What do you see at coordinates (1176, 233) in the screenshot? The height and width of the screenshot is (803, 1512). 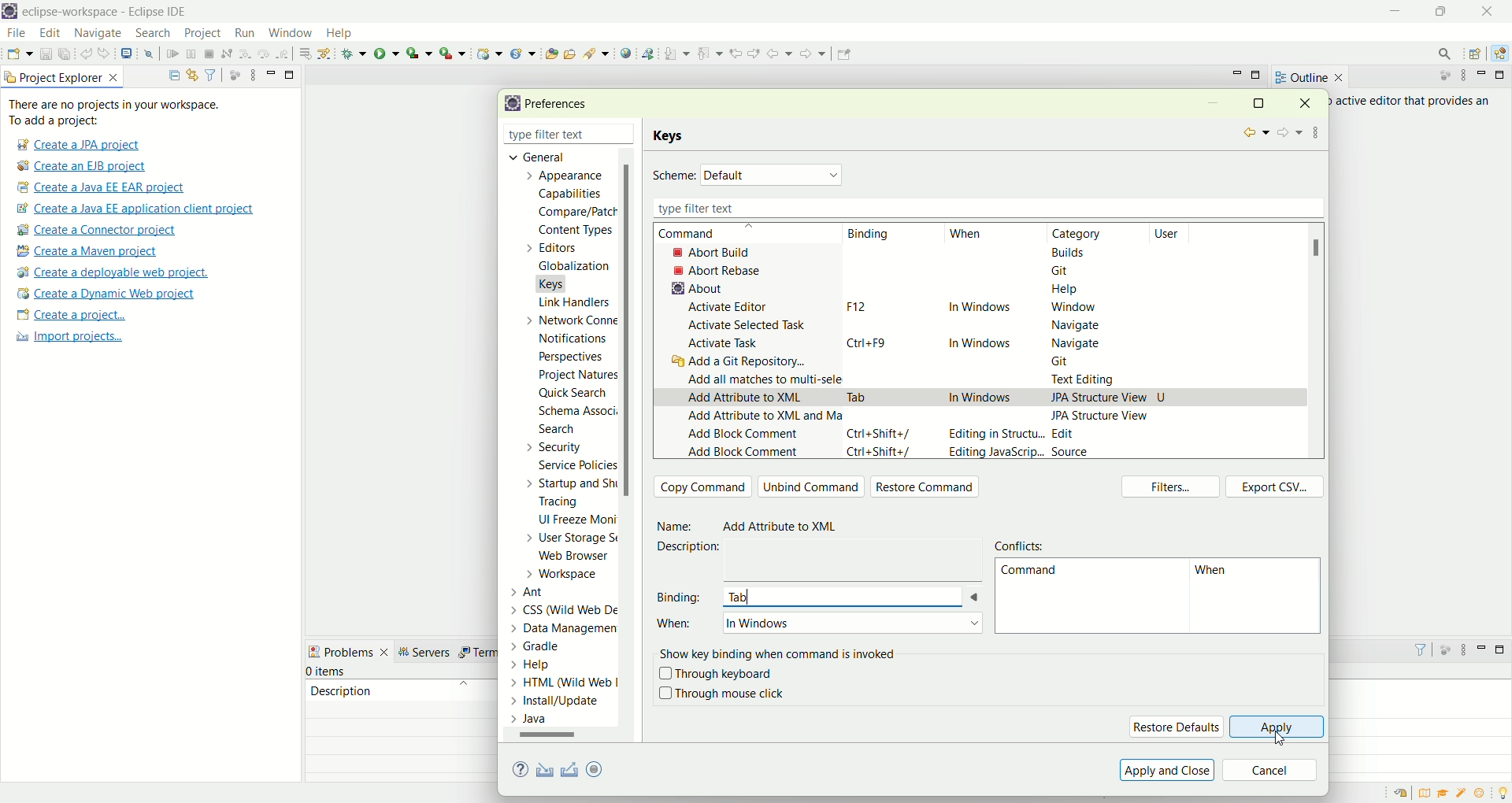 I see `user` at bounding box center [1176, 233].